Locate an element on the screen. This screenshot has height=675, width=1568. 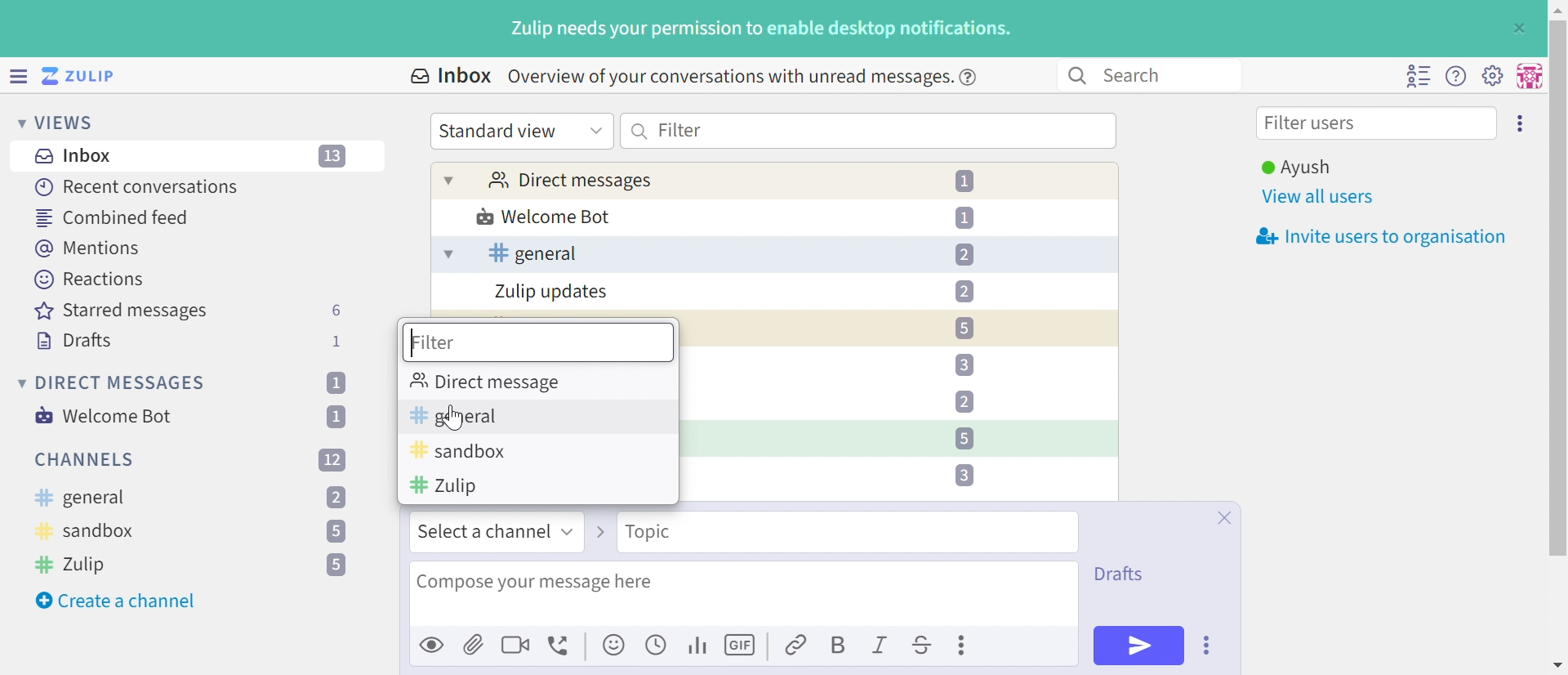
Zulip updates is located at coordinates (552, 292).